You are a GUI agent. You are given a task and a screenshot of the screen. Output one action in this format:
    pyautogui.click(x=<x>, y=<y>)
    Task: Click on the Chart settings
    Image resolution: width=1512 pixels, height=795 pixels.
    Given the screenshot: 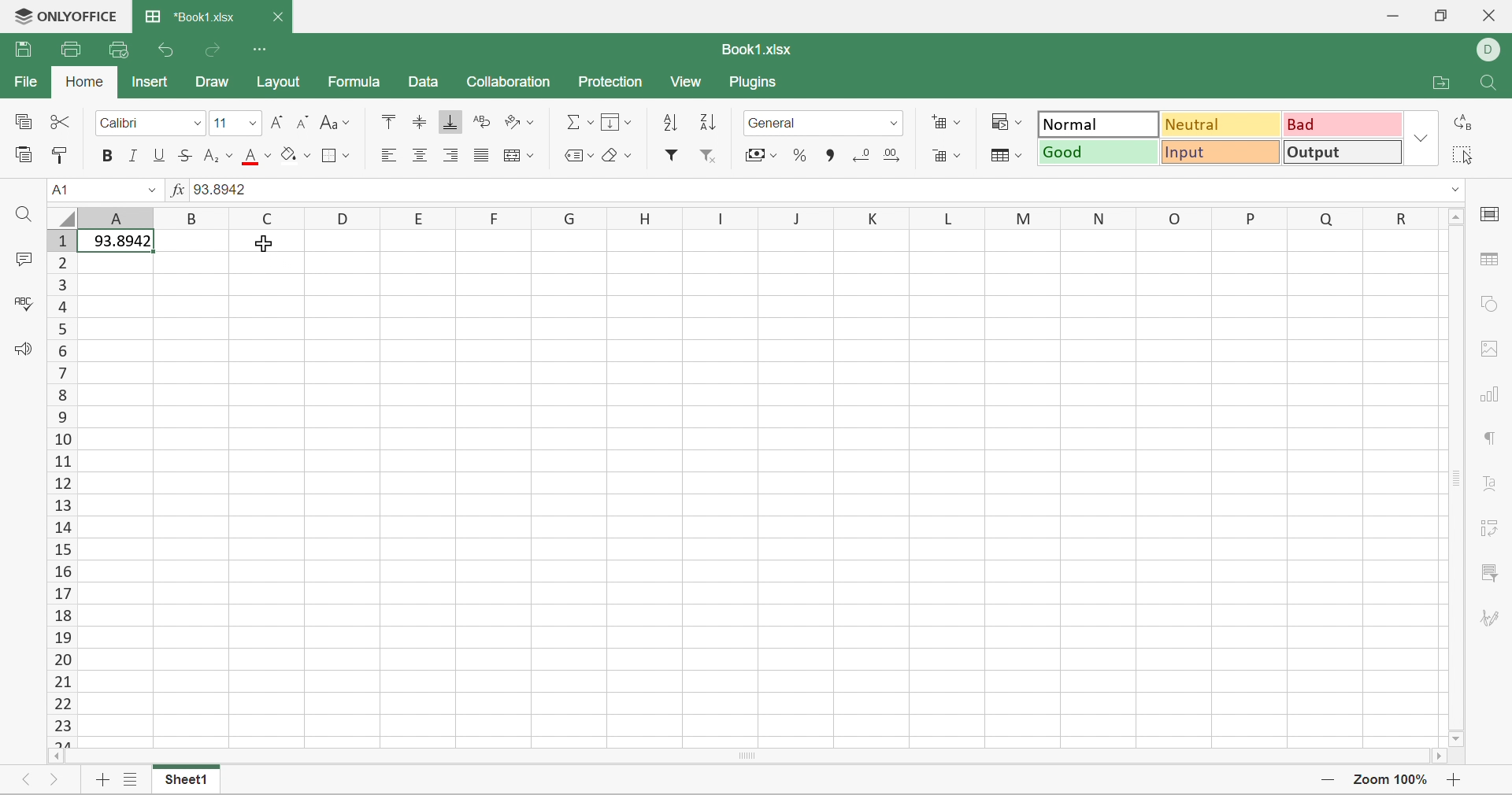 What is the action you would take?
    pyautogui.click(x=1492, y=397)
    